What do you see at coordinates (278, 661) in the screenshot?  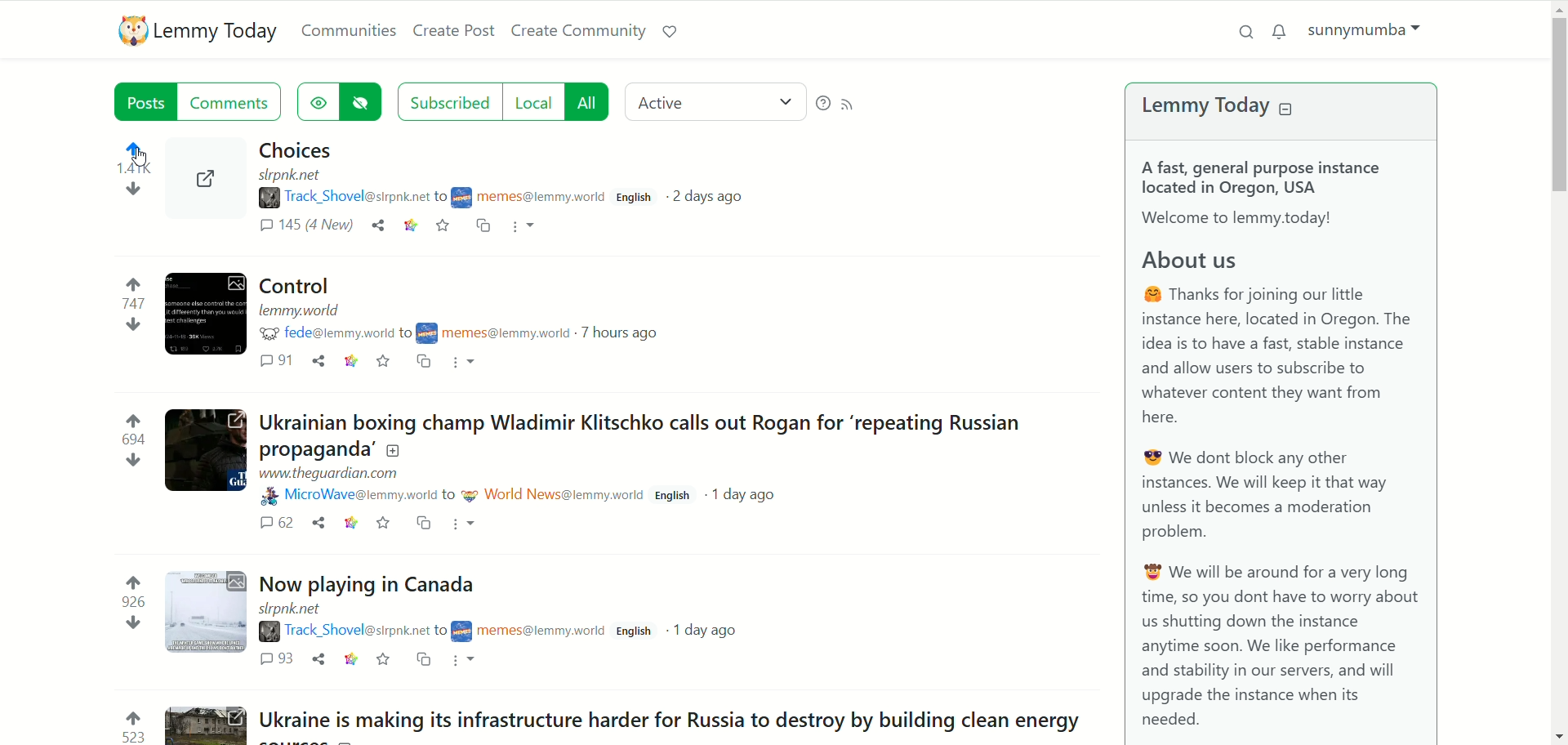 I see `93 comments` at bounding box center [278, 661].